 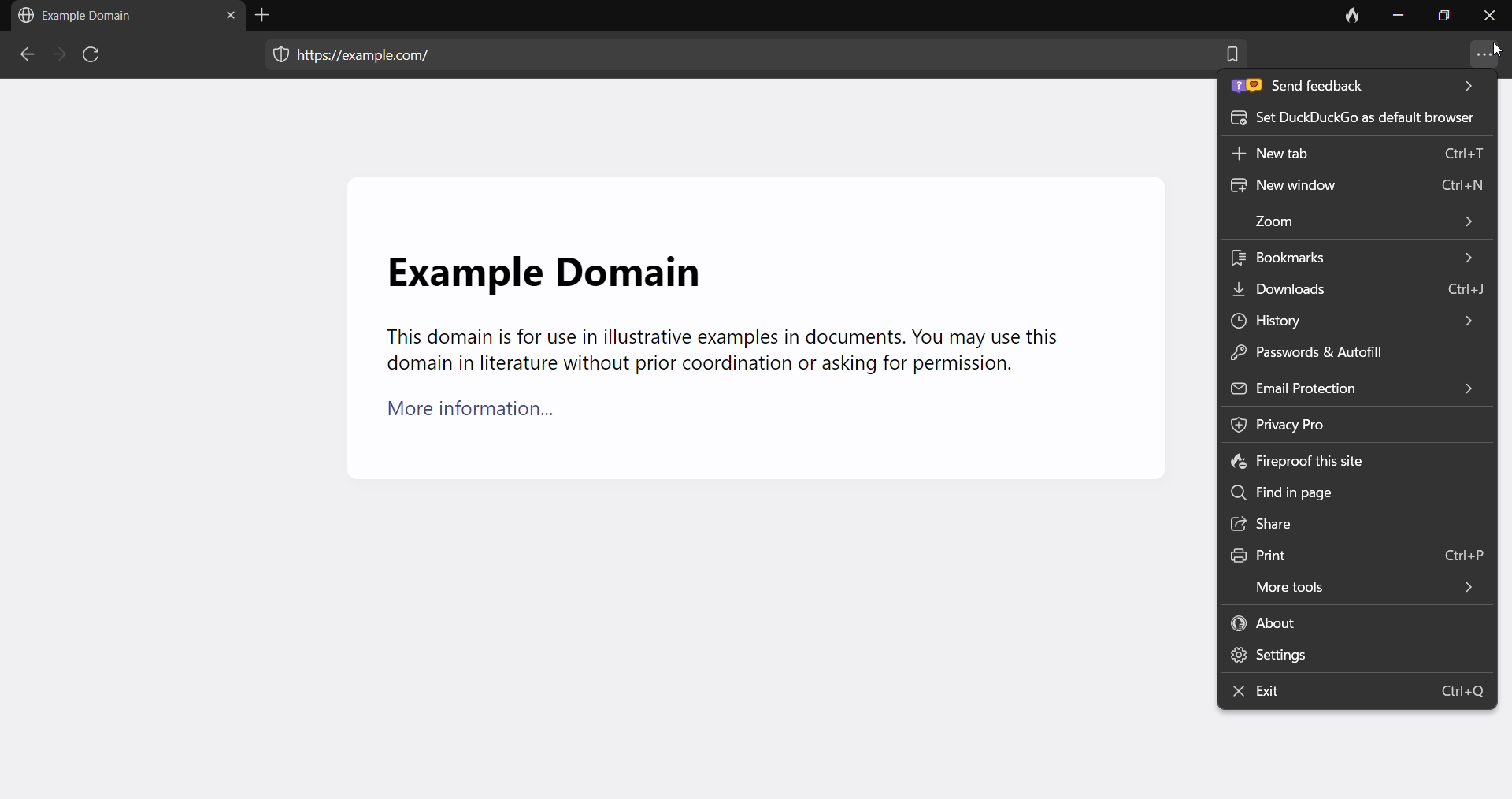 What do you see at coordinates (372, 53) in the screenshot?
I see `web address` at bounding box center [372, 53].